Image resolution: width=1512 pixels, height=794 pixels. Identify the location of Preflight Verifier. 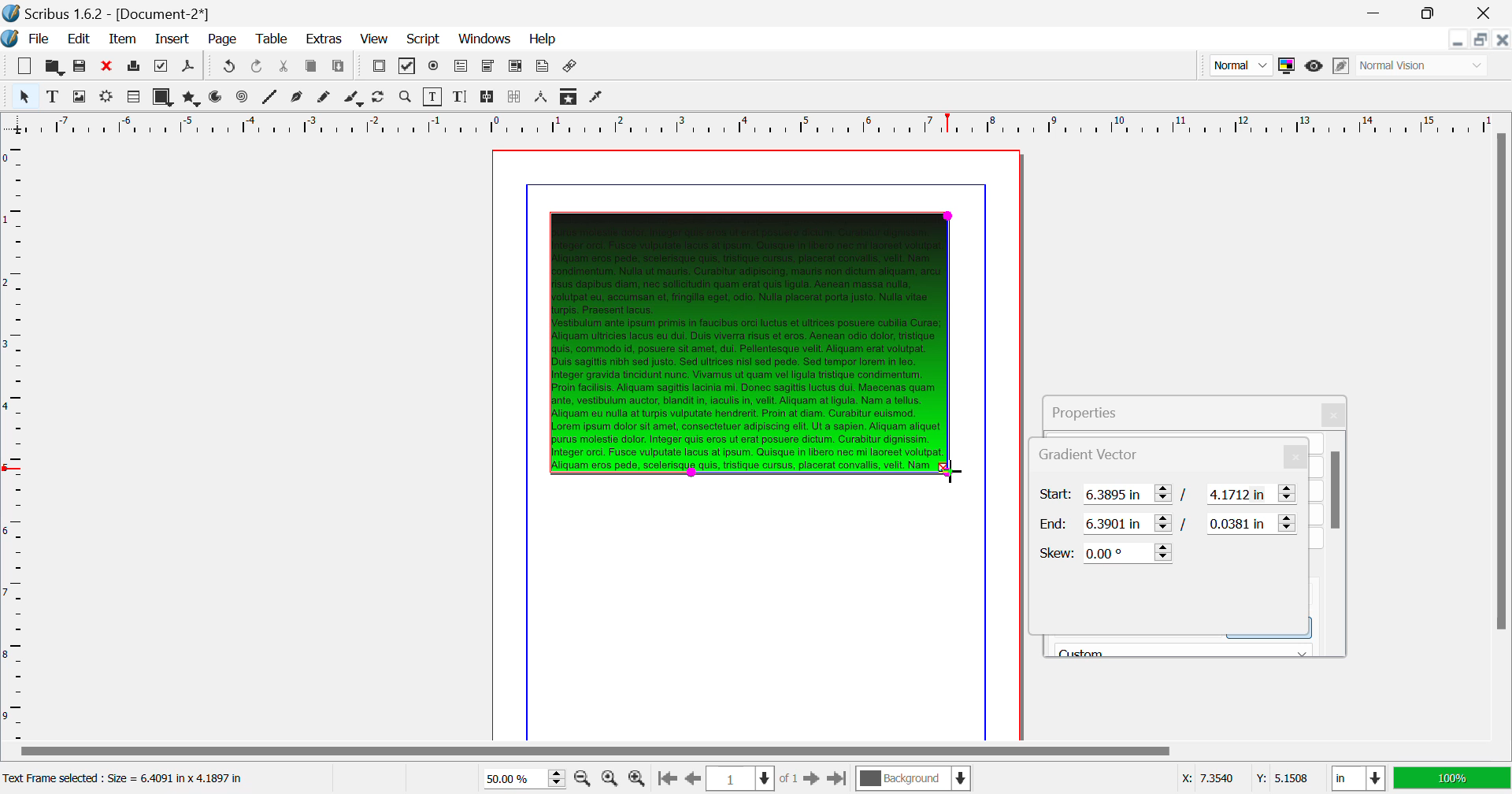
(162, 66).